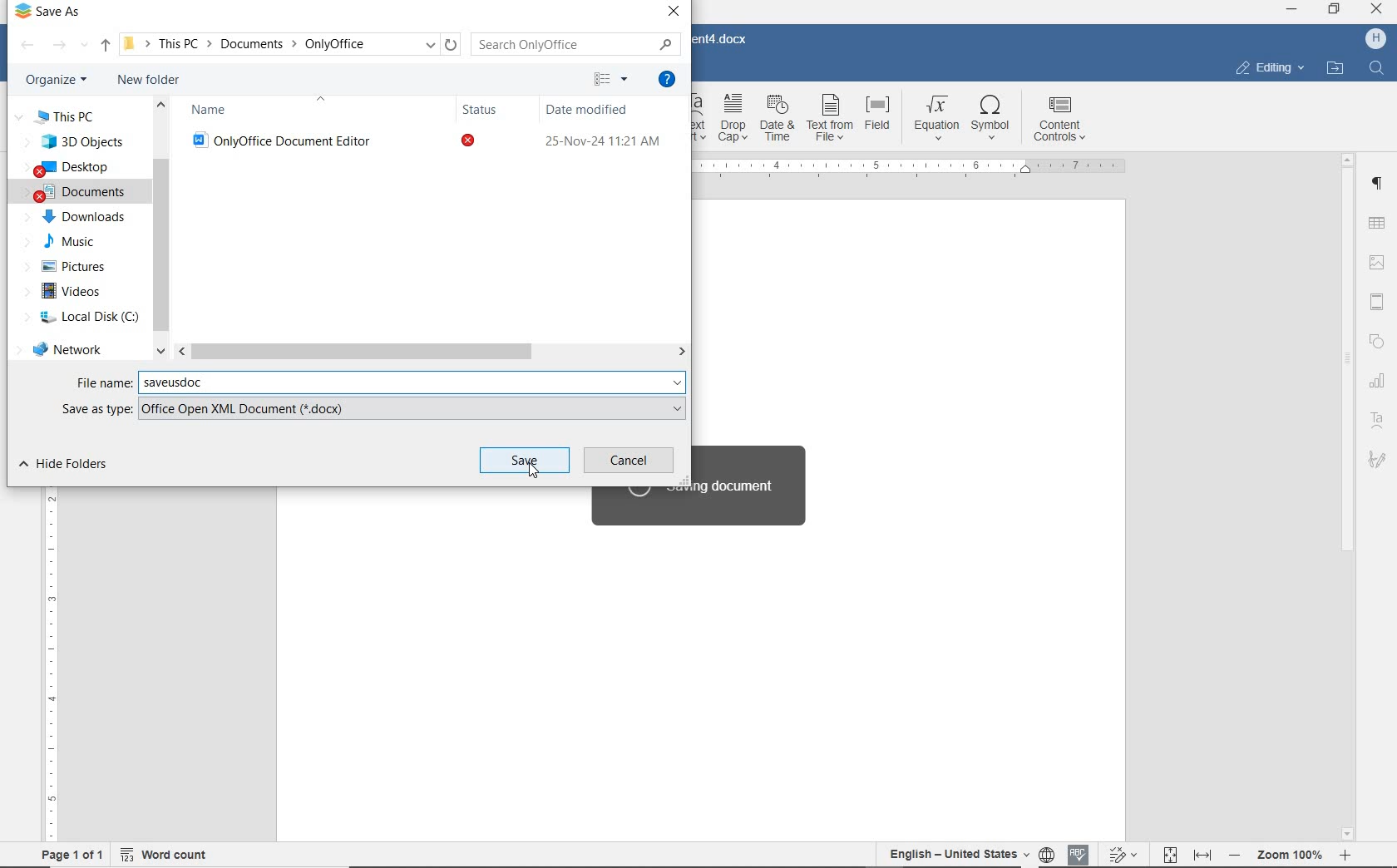 The image size is (1397, 868). What do you see at coordinates (452, 50) in the screenshot?
I see `refresh` at bounding box center [452, 50].